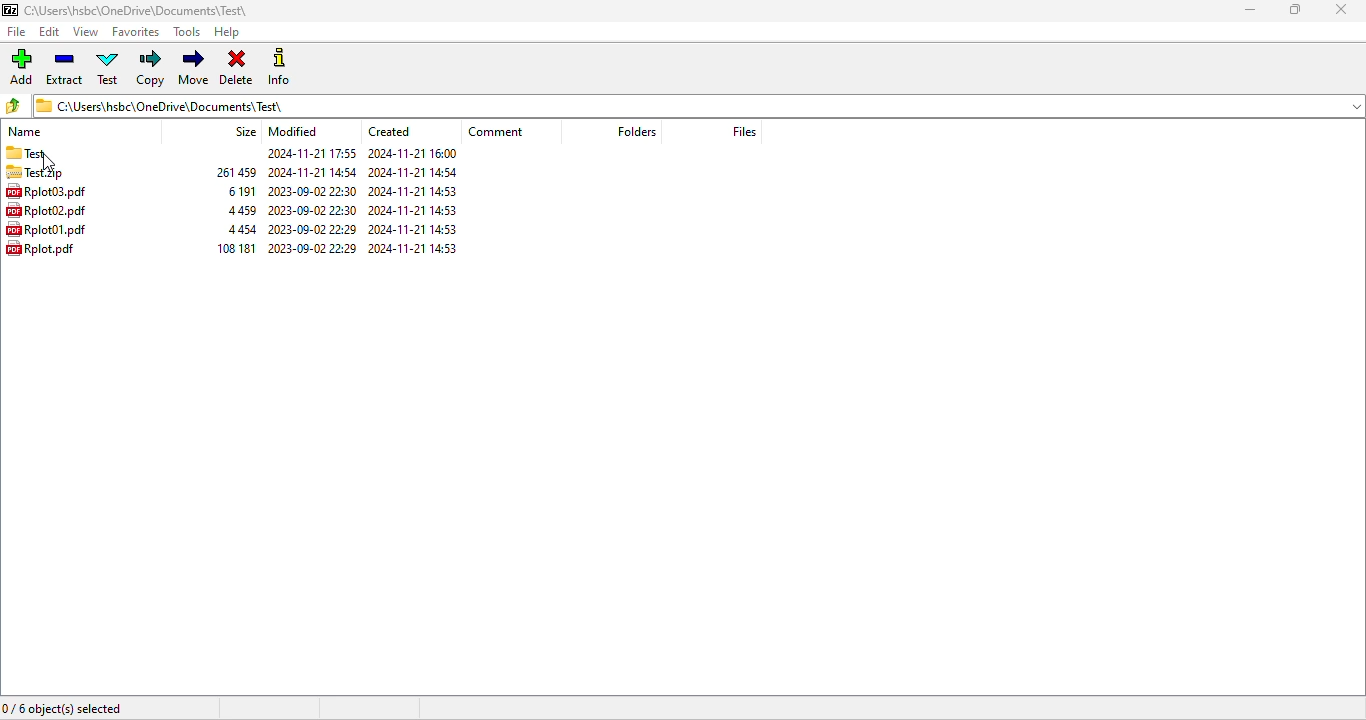 This screenshot has height=720, width=1366. Describe the element at coordinates (1251, 9) in the screenshot. I see `minimize` at that location.